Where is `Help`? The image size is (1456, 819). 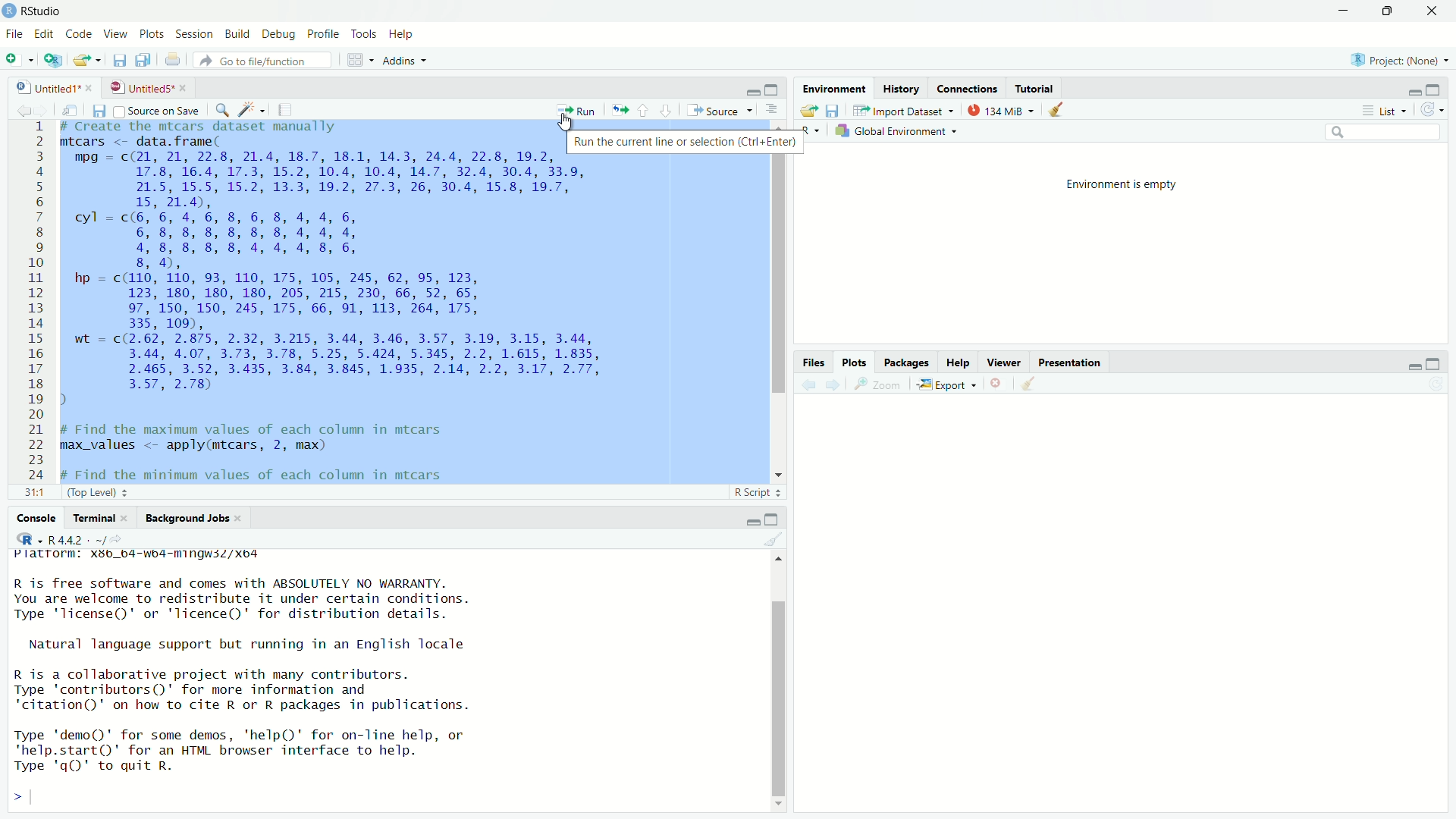
Help is located at coordinates (406, 33).